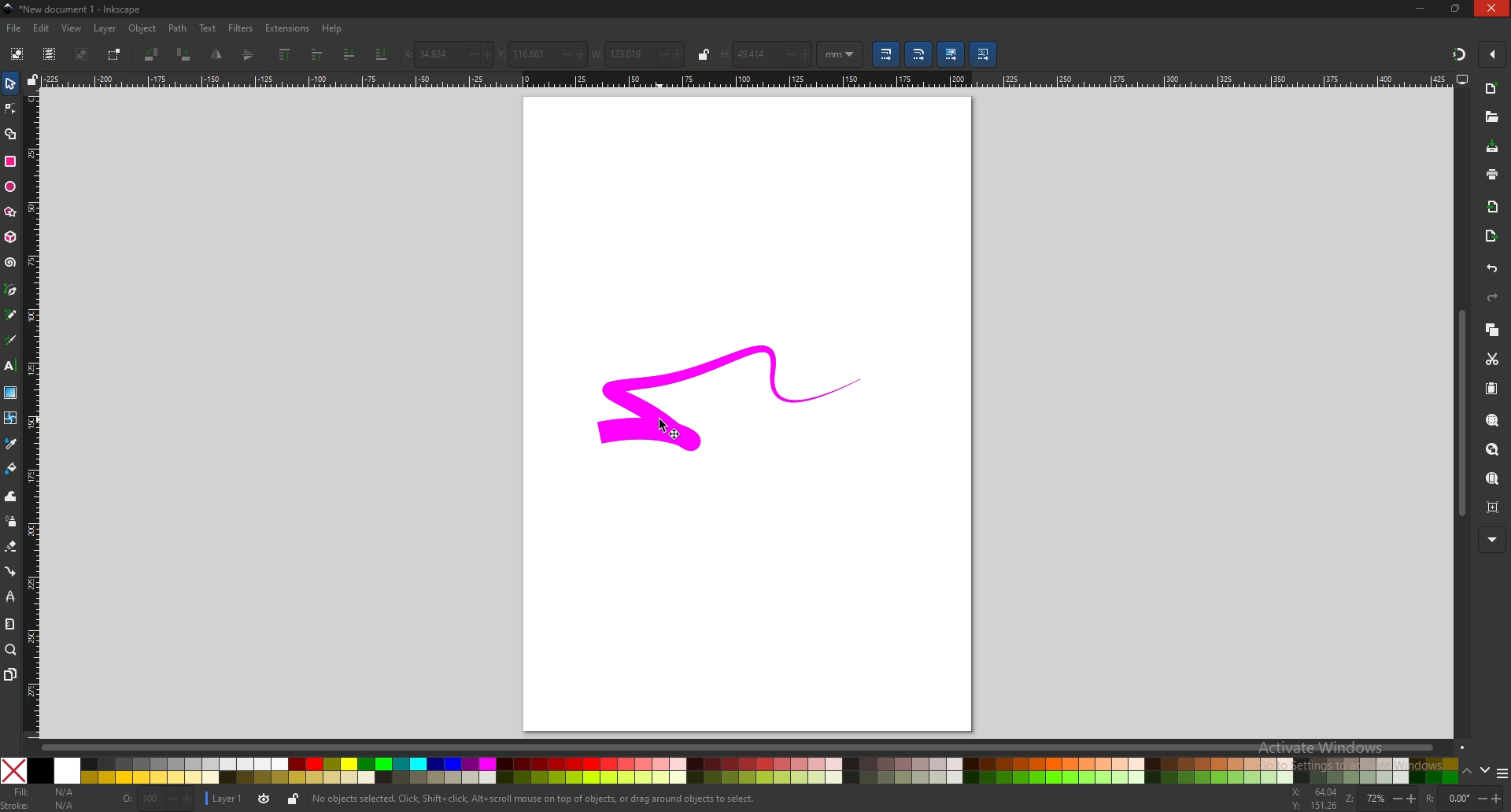 This screenshot has width=1511, height=812. What do you see at coordinates (40, 792) in the screenshot?
I see `fill` at bounding box center [40, 792].